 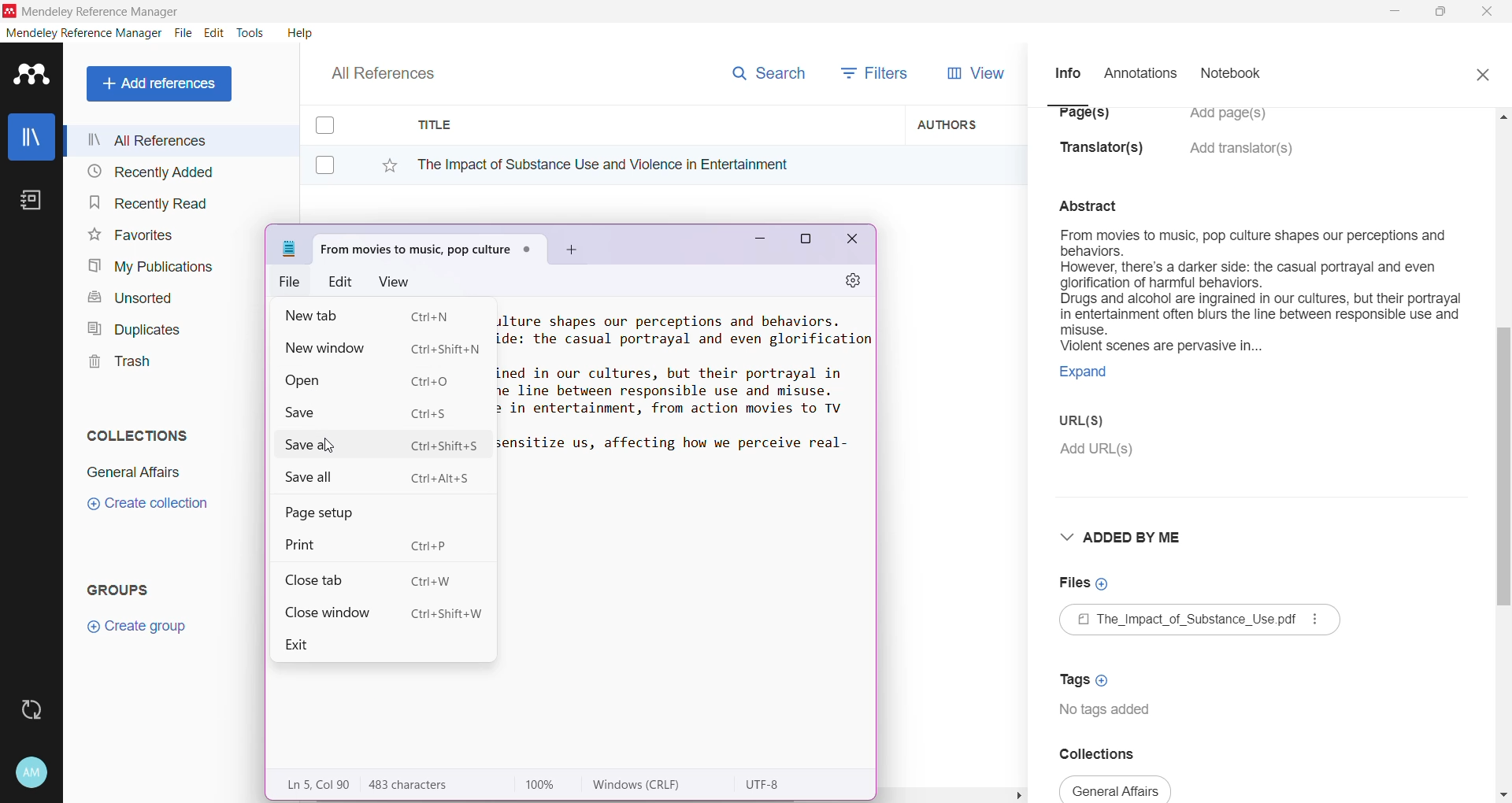 I want to click on View, so click(x=392, y=280).